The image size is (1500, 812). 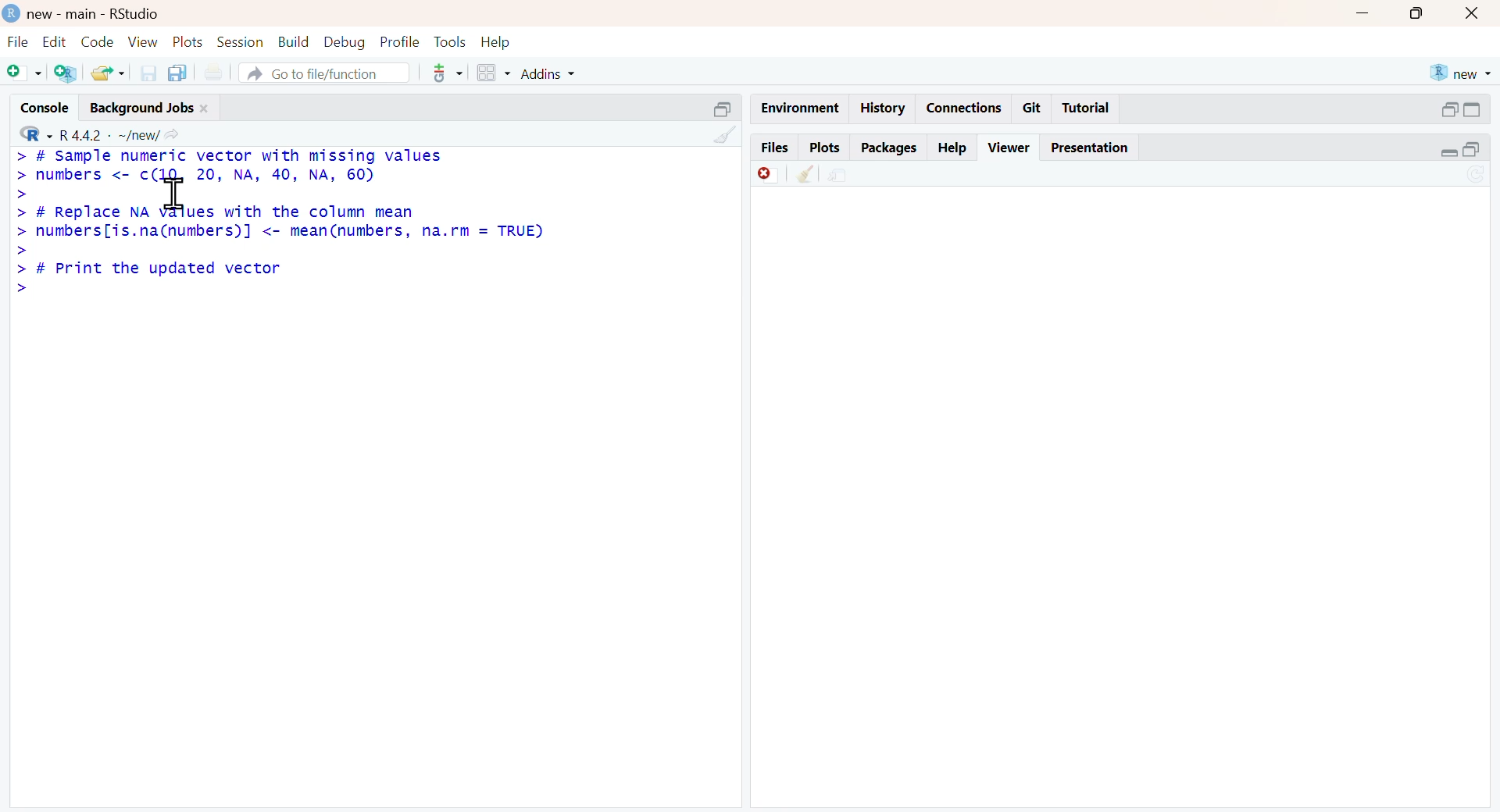 What do you see at coordinates (495, 44) in the screenshot?
I see `help` at bounding box center [495, 44].